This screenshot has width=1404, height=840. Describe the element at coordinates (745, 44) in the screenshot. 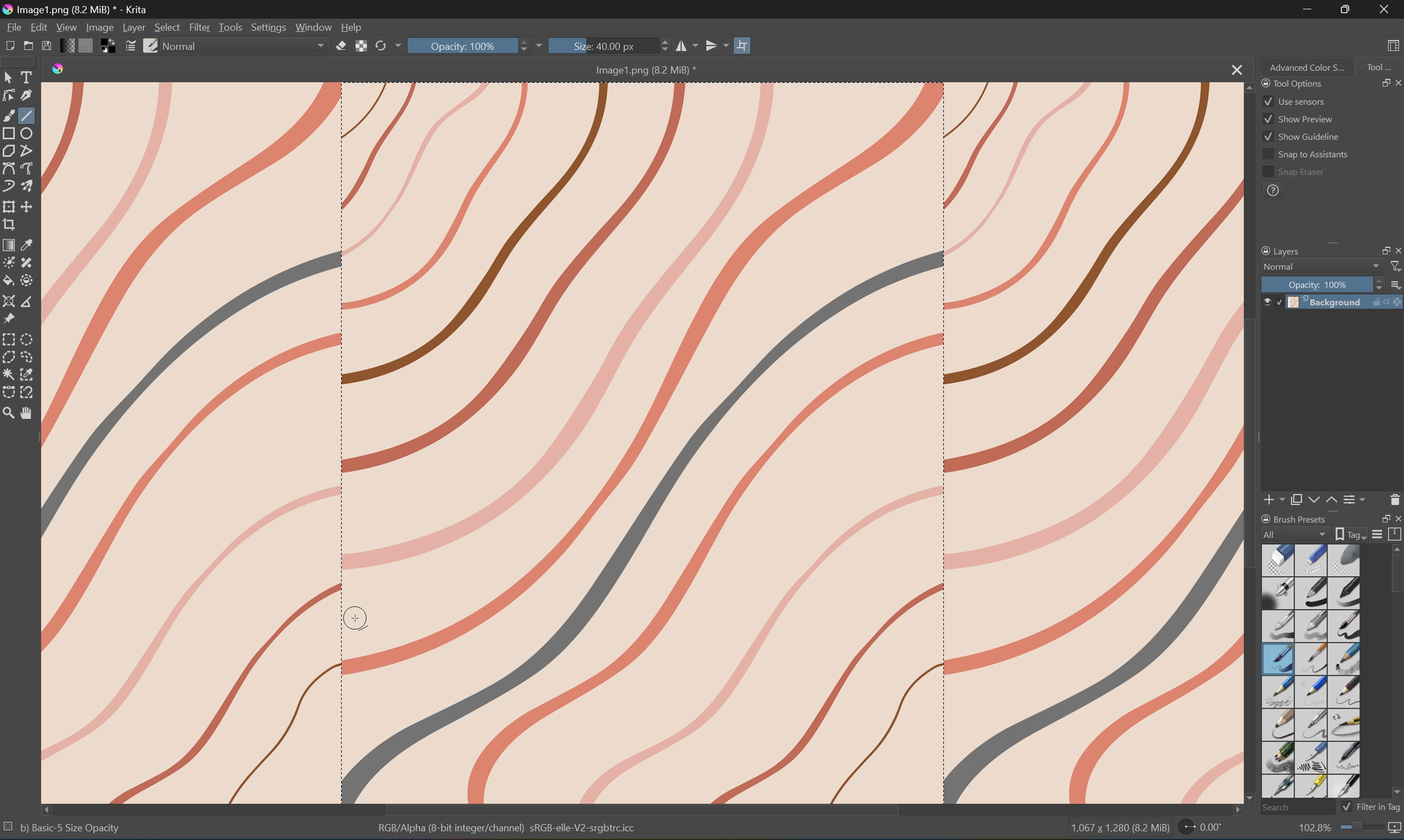

I see `Wrap Around` at that location.